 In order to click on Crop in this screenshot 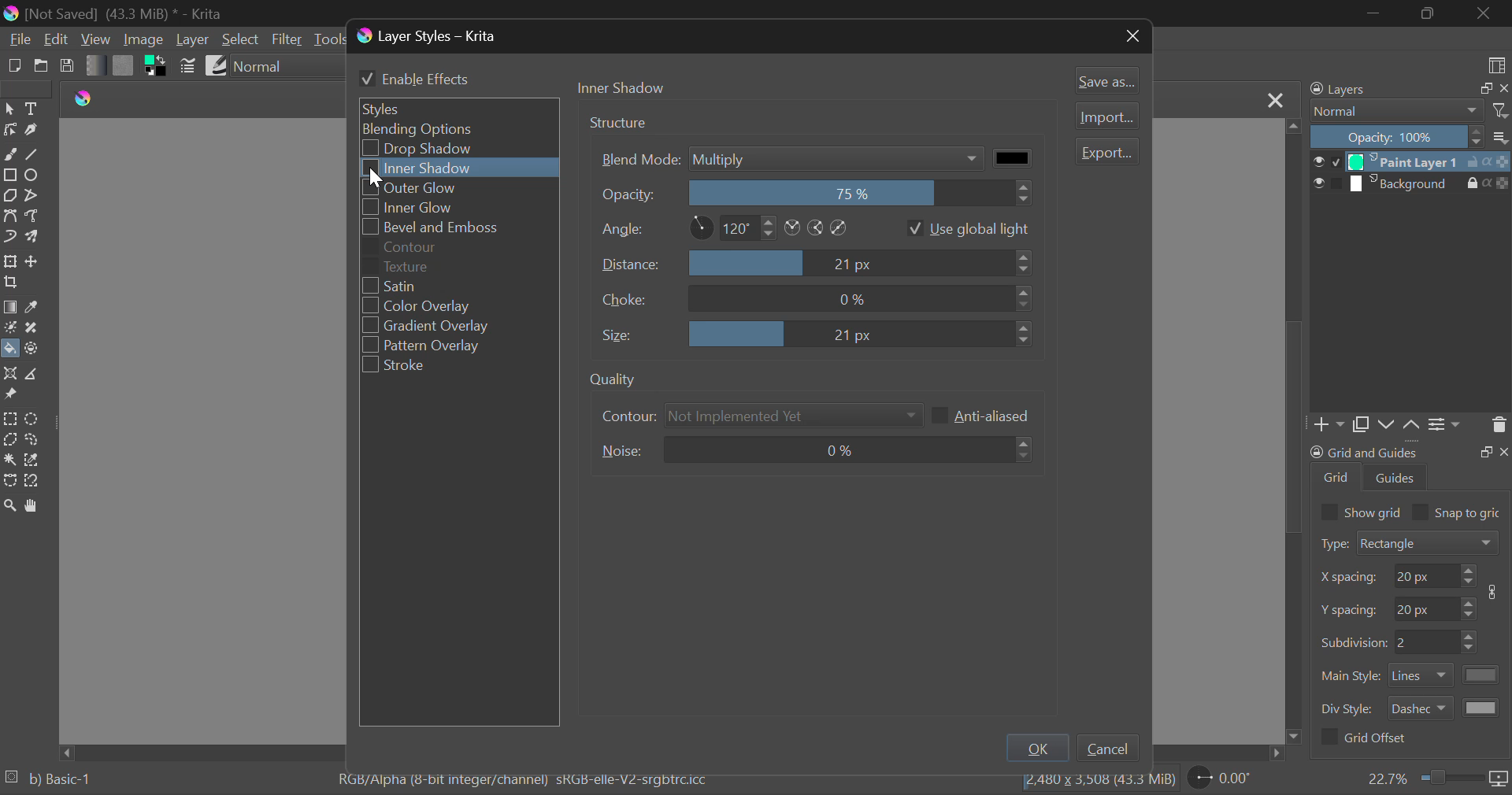, I will do `click(9, 283)`.